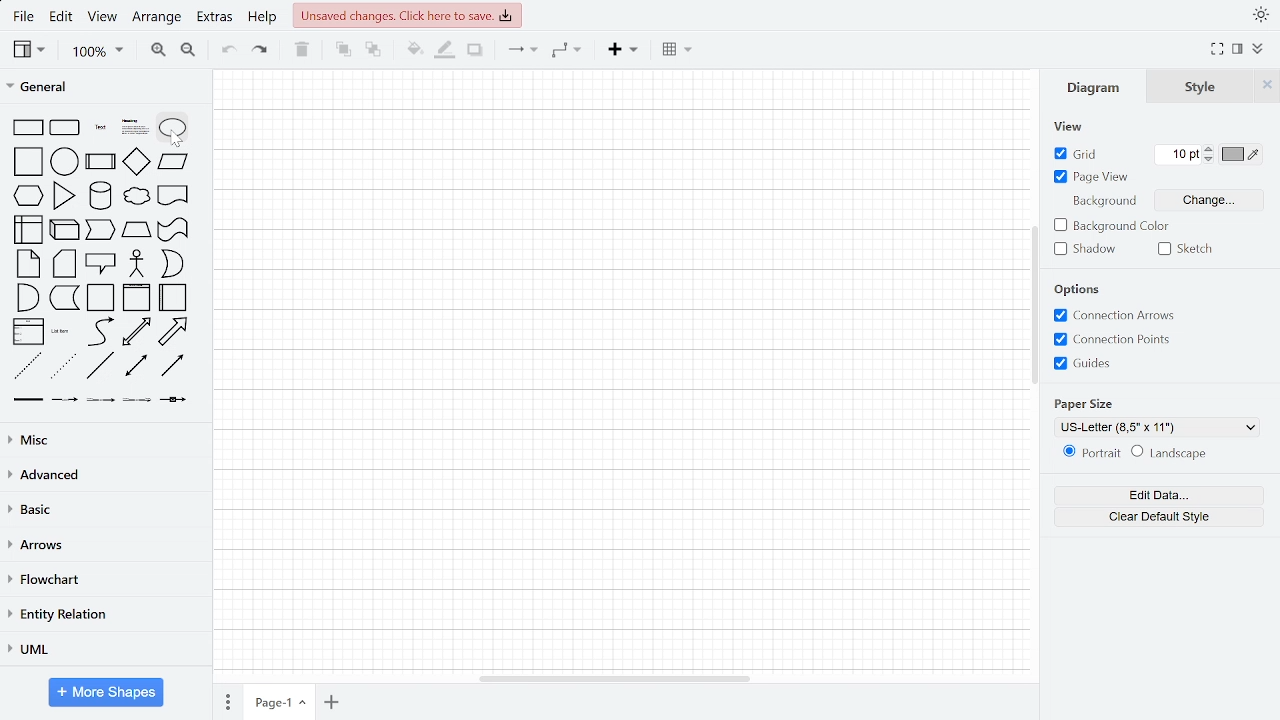 The image size is (1280, 720). What do you see at coordinates (341, 50) in the screenshot?
I see `to front` at bounding box center [341, 50].